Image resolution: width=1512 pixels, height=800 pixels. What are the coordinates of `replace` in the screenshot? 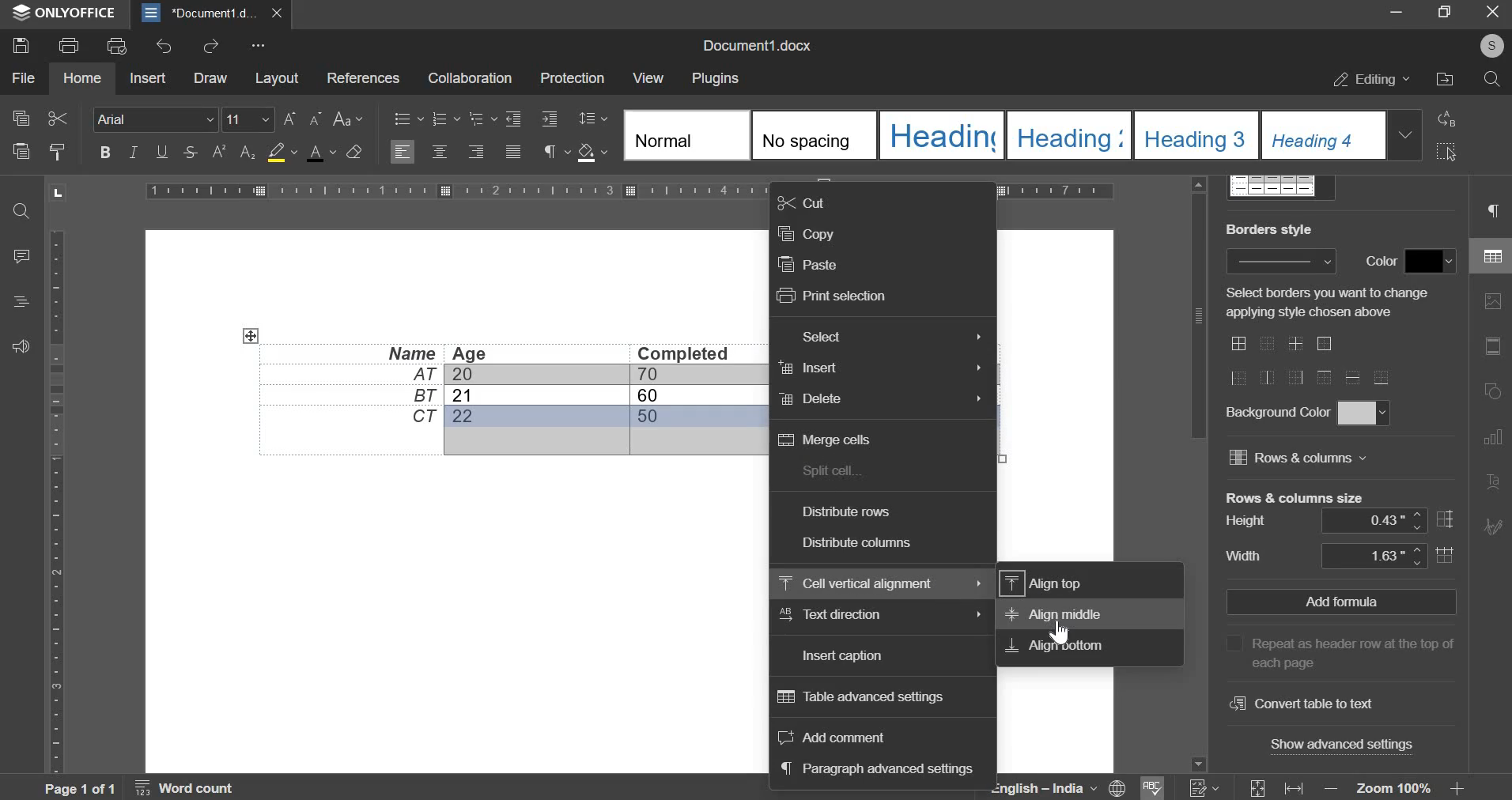 It's located at (1448, 120).